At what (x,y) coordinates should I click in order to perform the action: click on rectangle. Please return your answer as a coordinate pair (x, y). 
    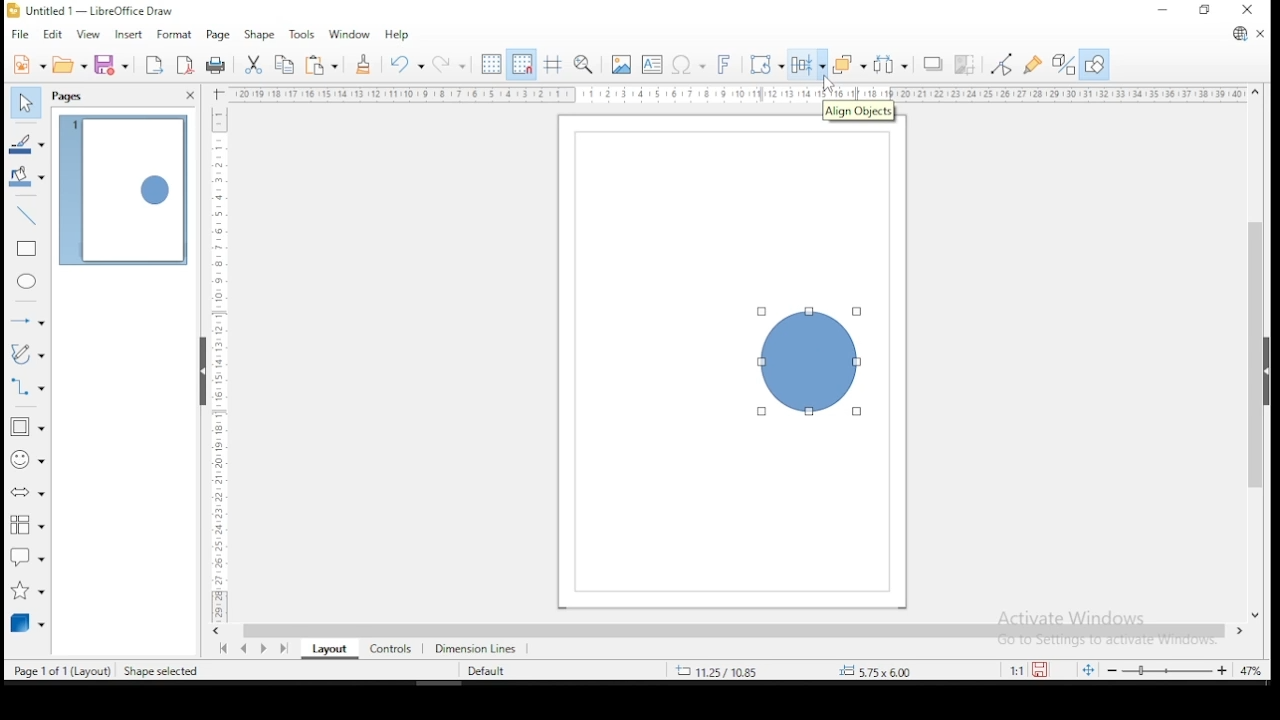
    Looking at the image, I should click on (28, 249).